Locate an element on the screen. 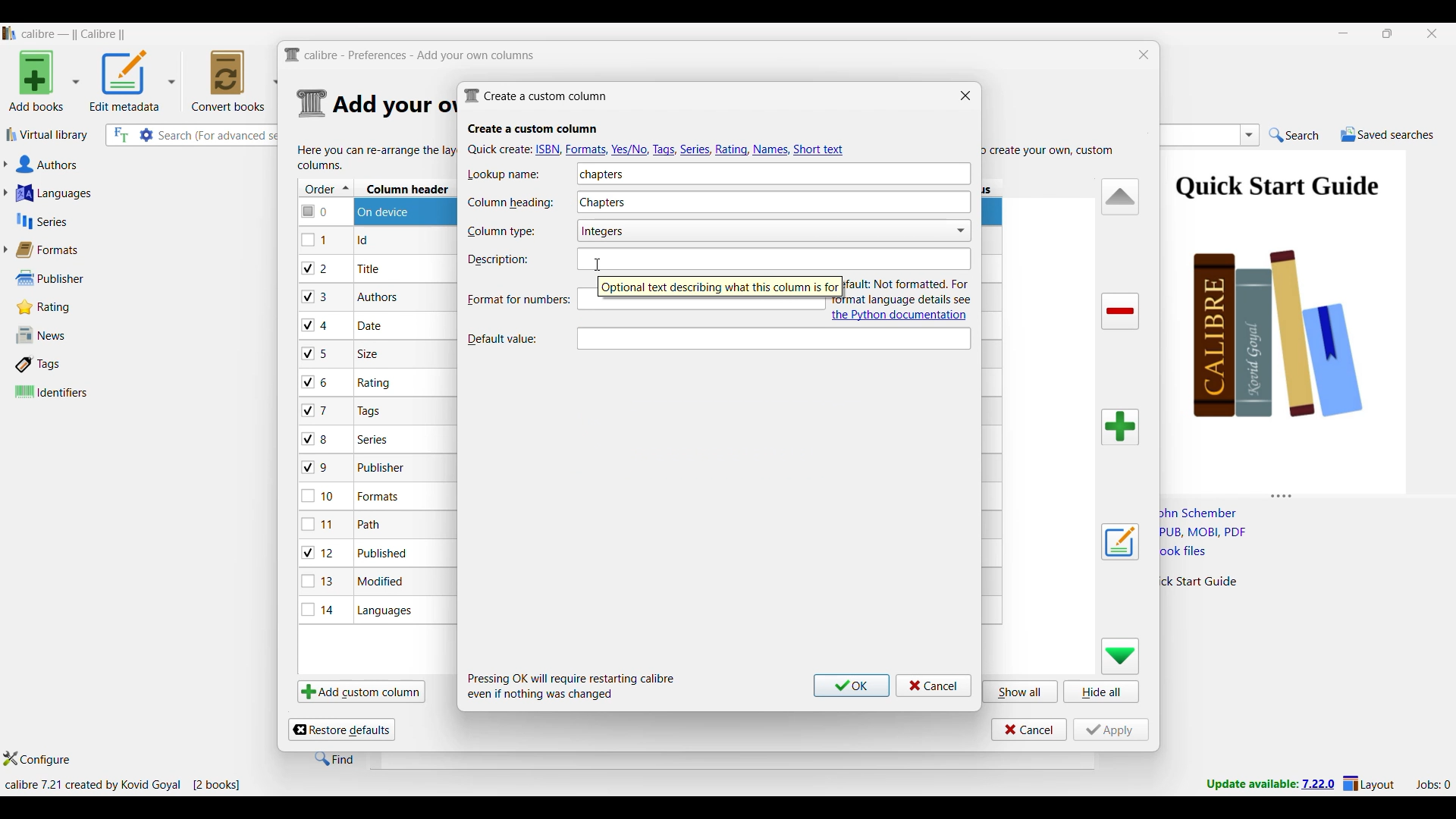 The width and height of the screenshot is (1456, 819). Search is located at coordinates (1294, 136).